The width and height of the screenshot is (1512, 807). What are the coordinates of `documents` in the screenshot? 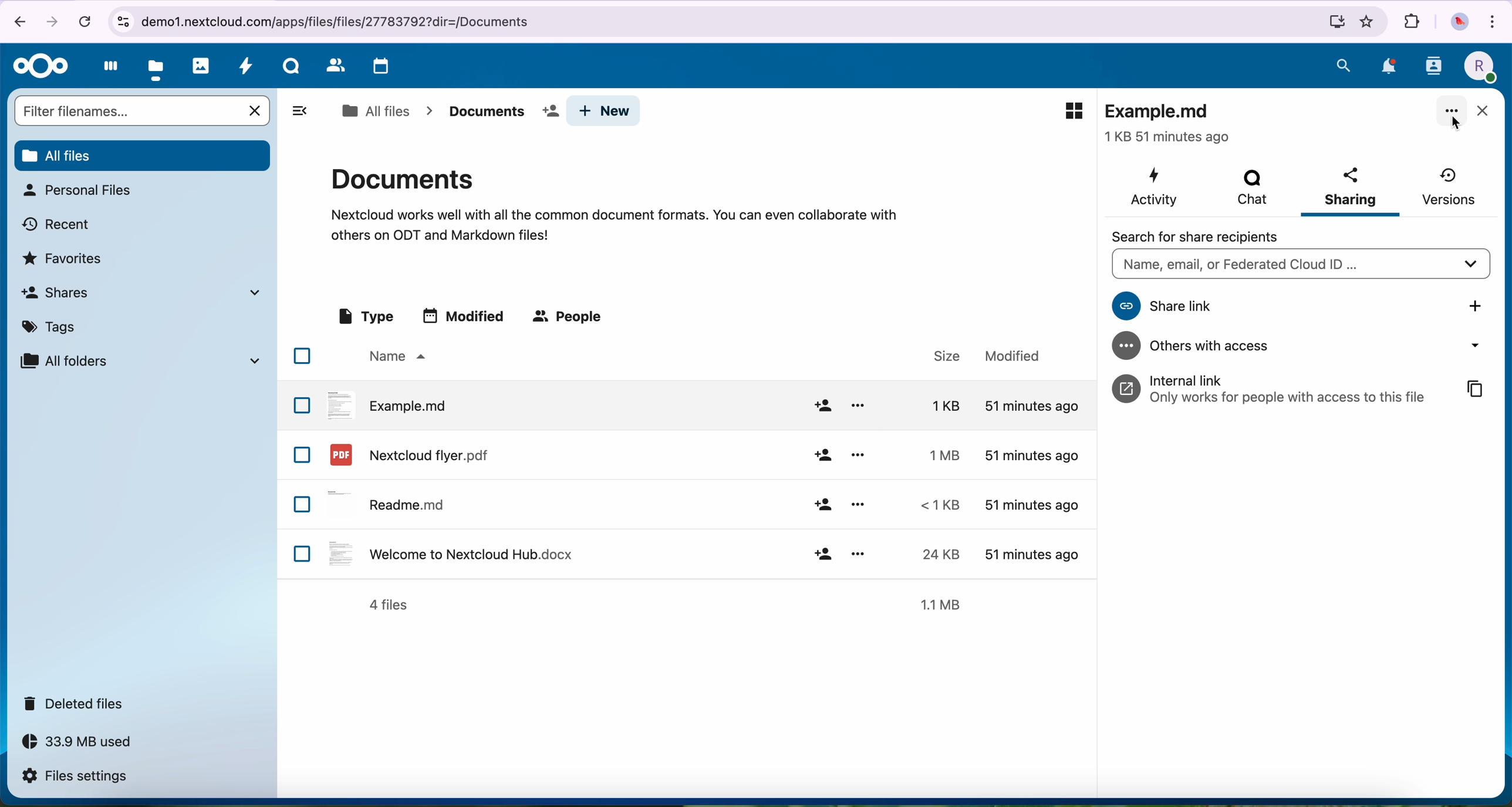 It's located at (614, 202).